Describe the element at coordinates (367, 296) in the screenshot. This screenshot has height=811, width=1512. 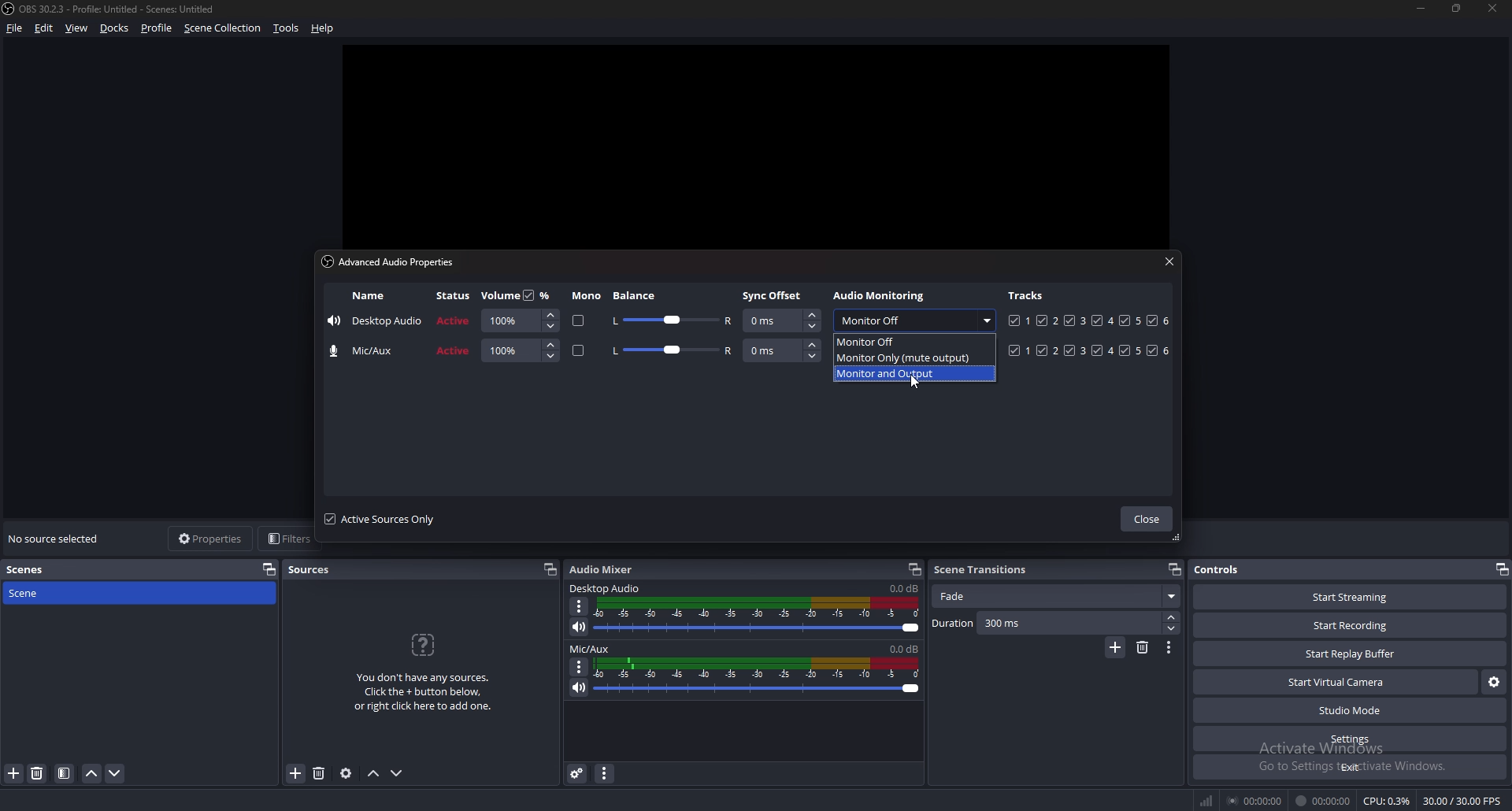
I see `name` at that location.